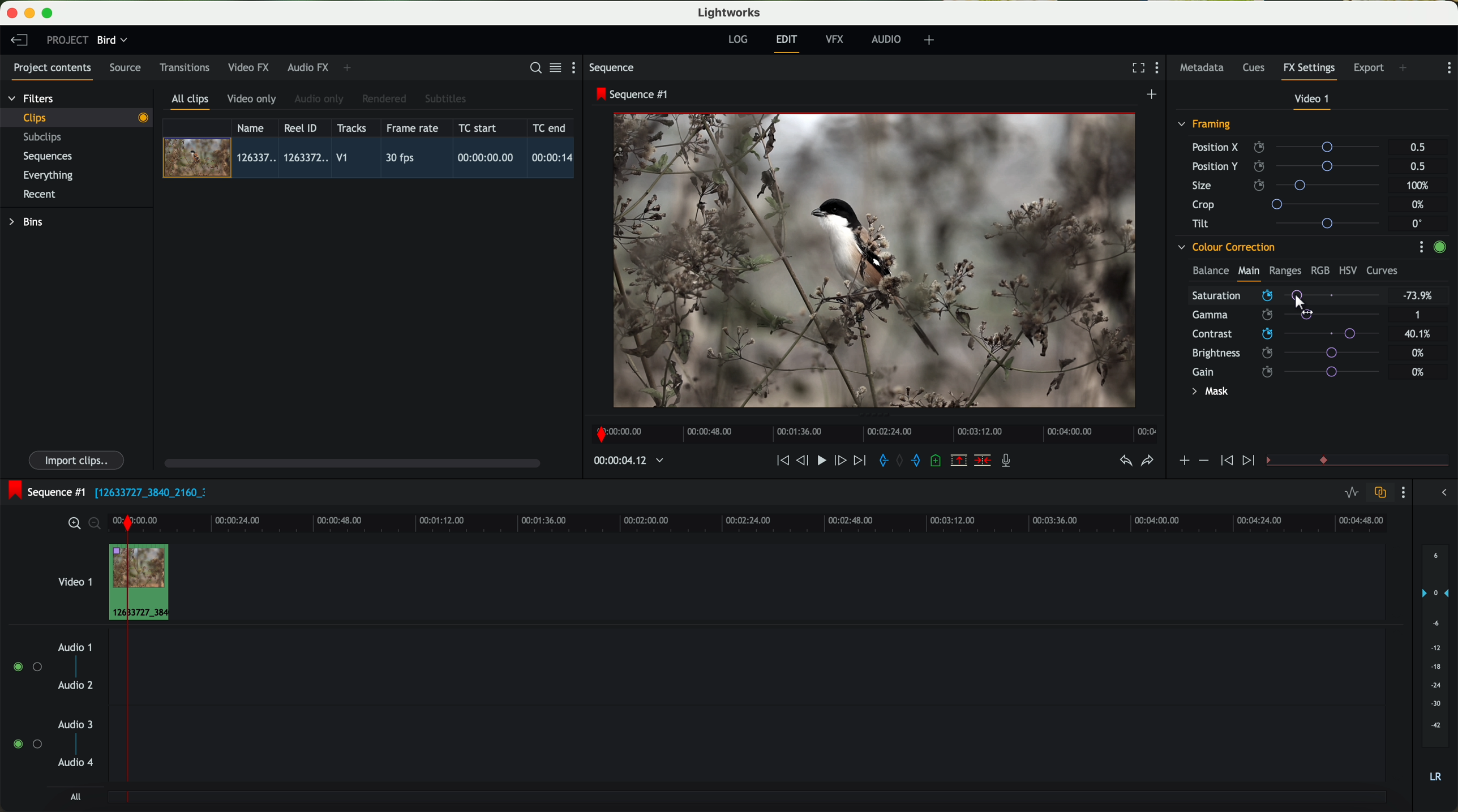  Describe the element at coordinates (554, 67) in the screenshot. I see `toggle between list and title view` at that location.